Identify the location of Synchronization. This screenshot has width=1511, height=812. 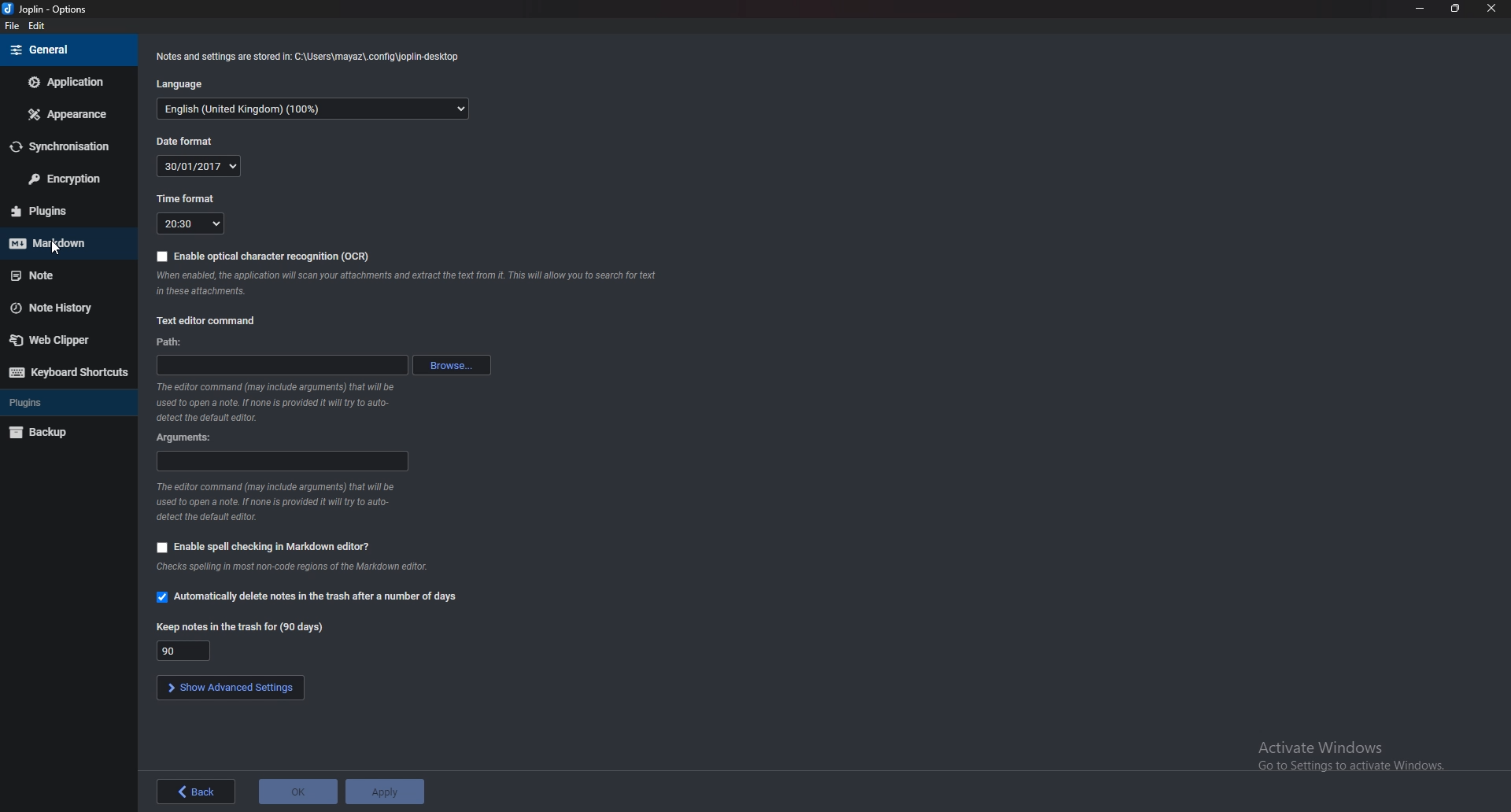
(68, 148).